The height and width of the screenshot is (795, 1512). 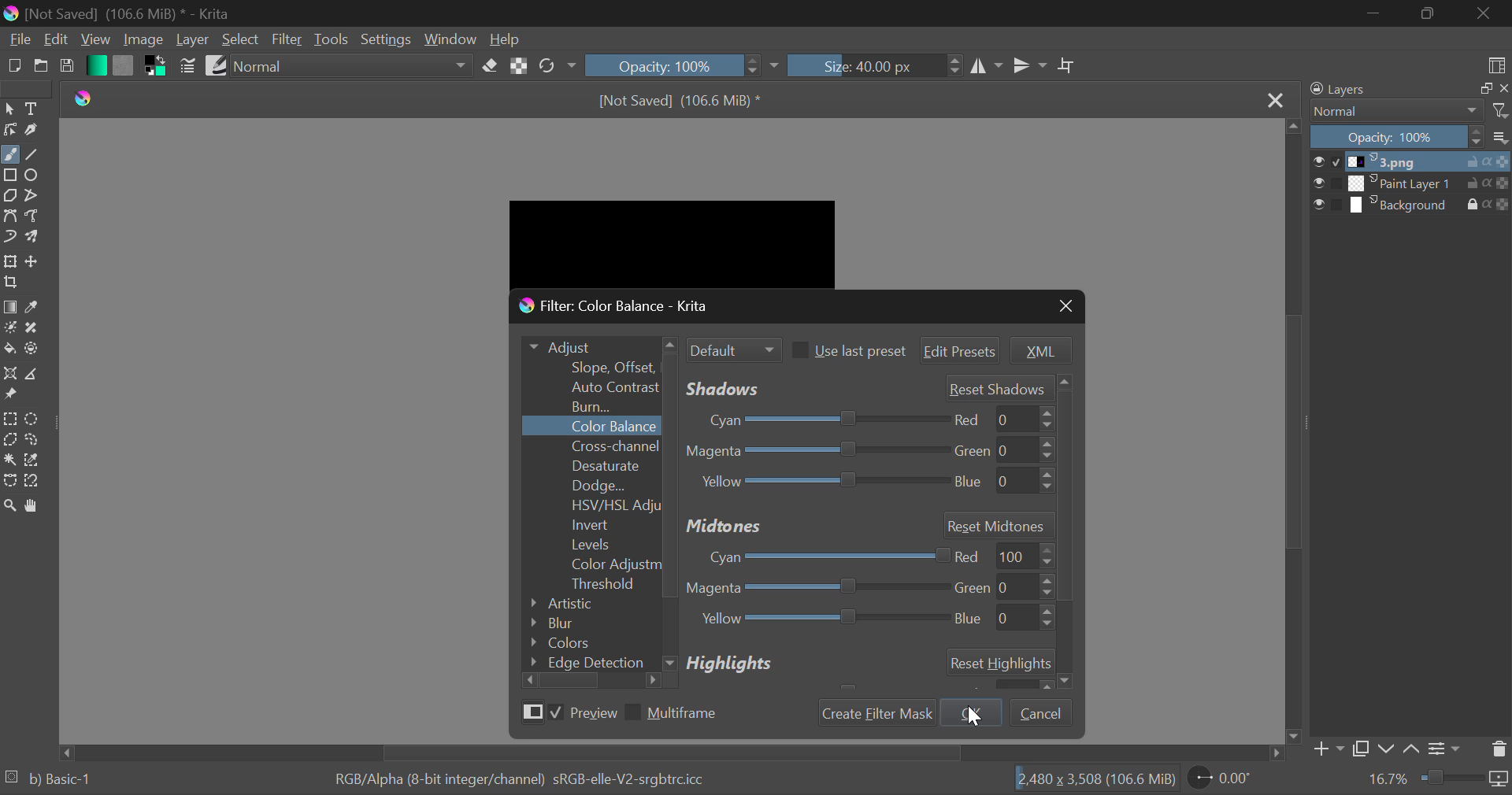 What do you see at coordinates (812, 452) in the screenshot?
I see `Magenta-Green Slider` at bounding box center [812, 452].